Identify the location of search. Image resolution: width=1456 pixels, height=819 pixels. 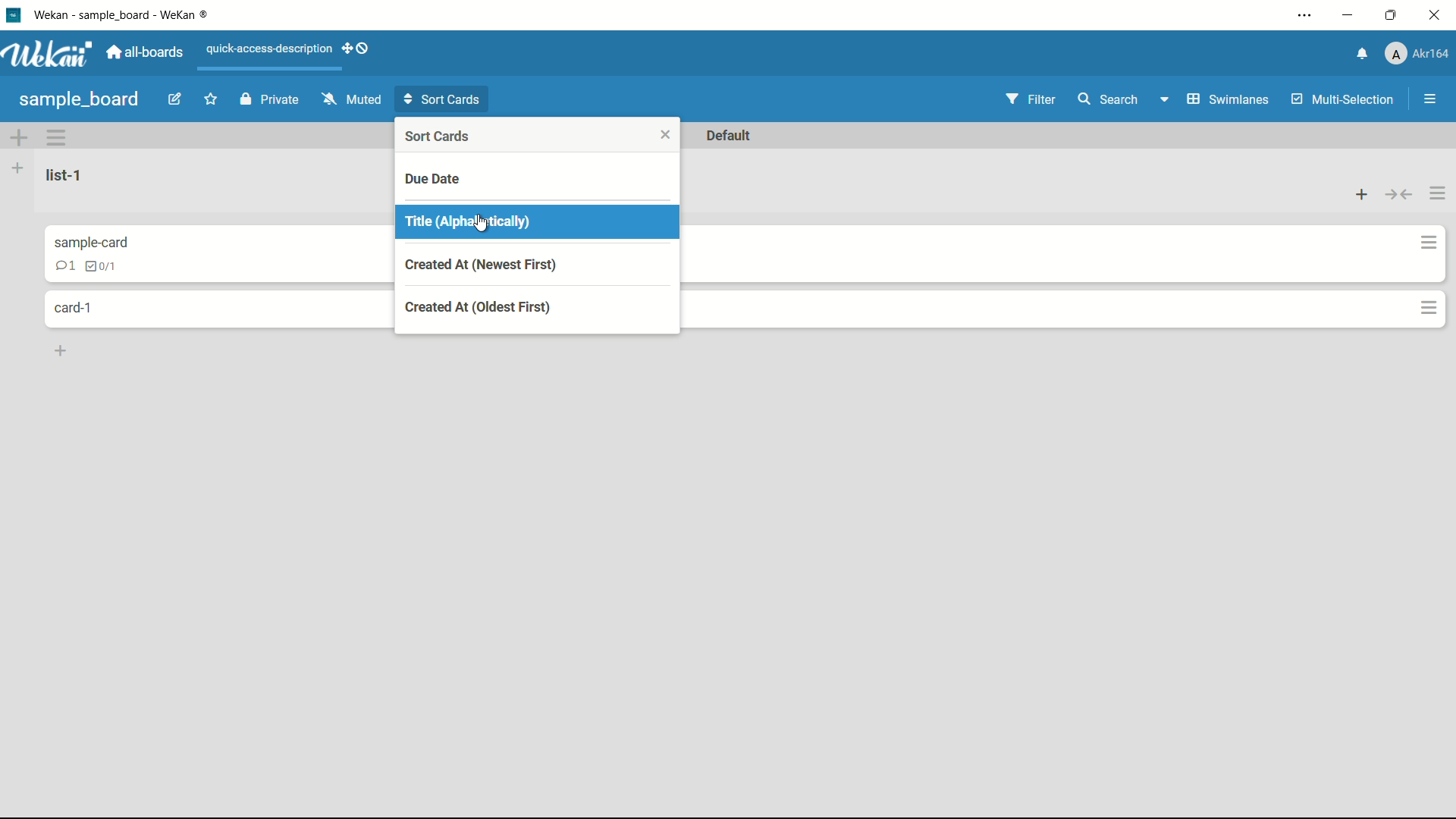
(1107, 99).